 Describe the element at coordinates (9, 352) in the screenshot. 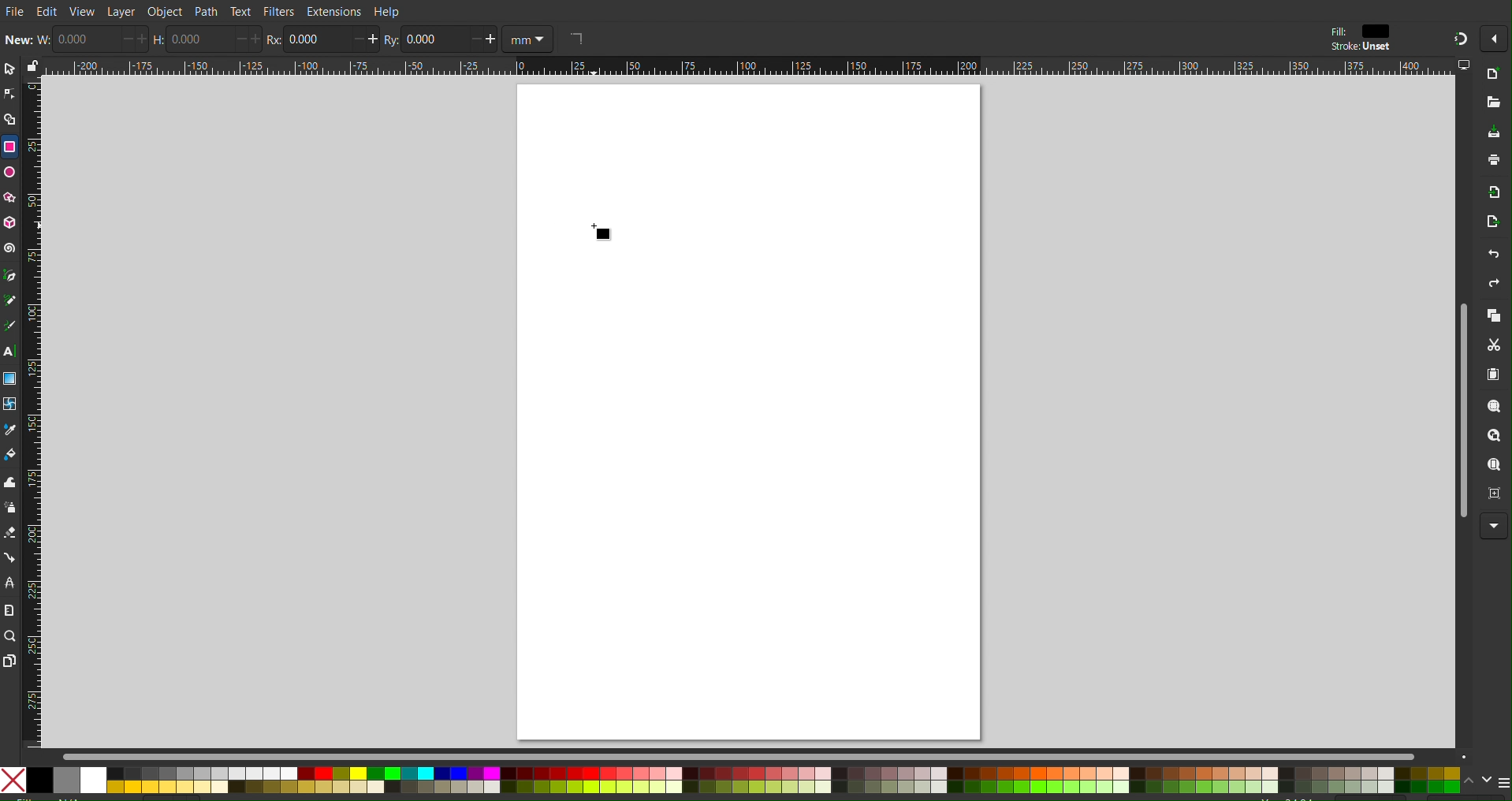

I see `Text Tool` at that location.